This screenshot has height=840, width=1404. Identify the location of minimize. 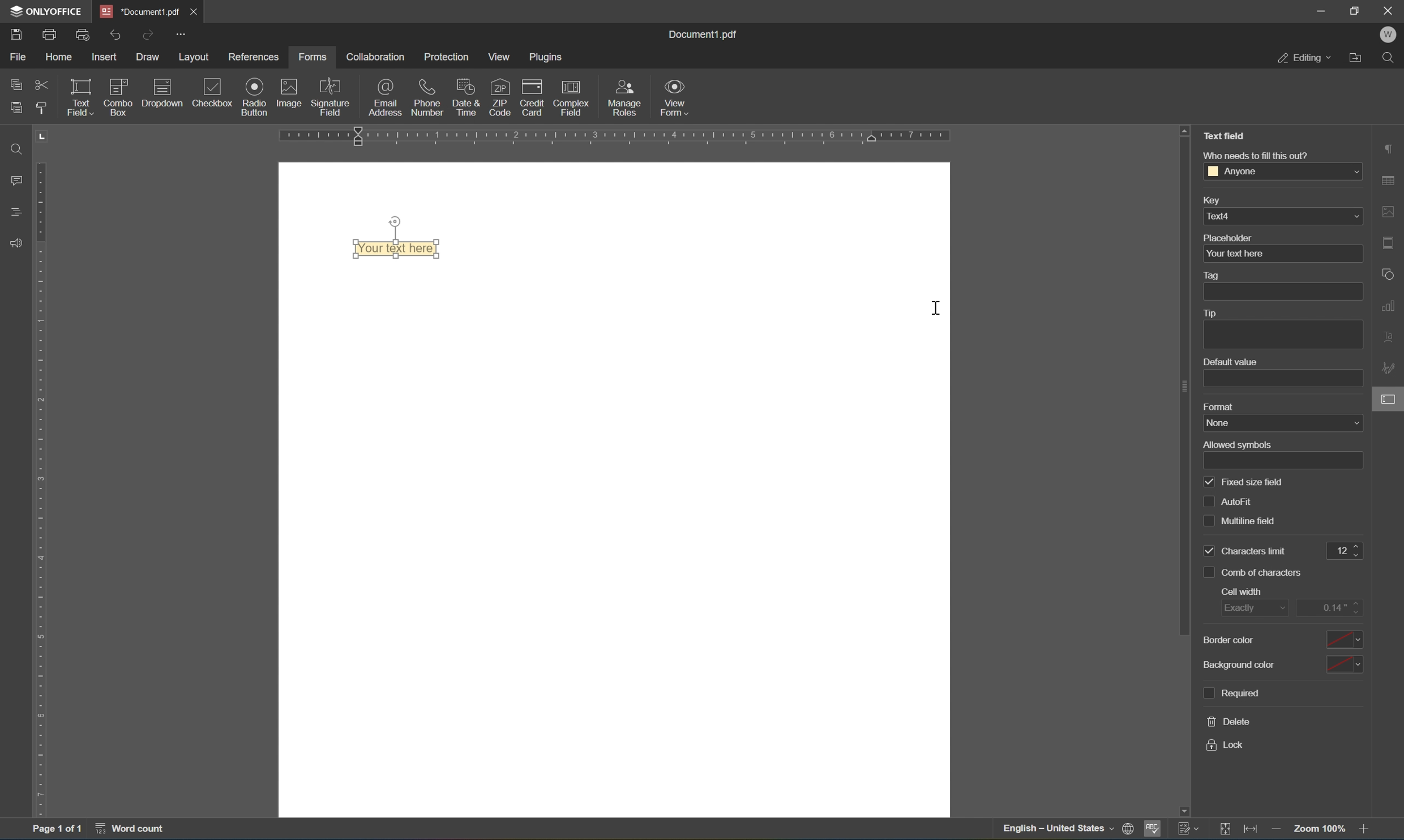
(1315, 10).